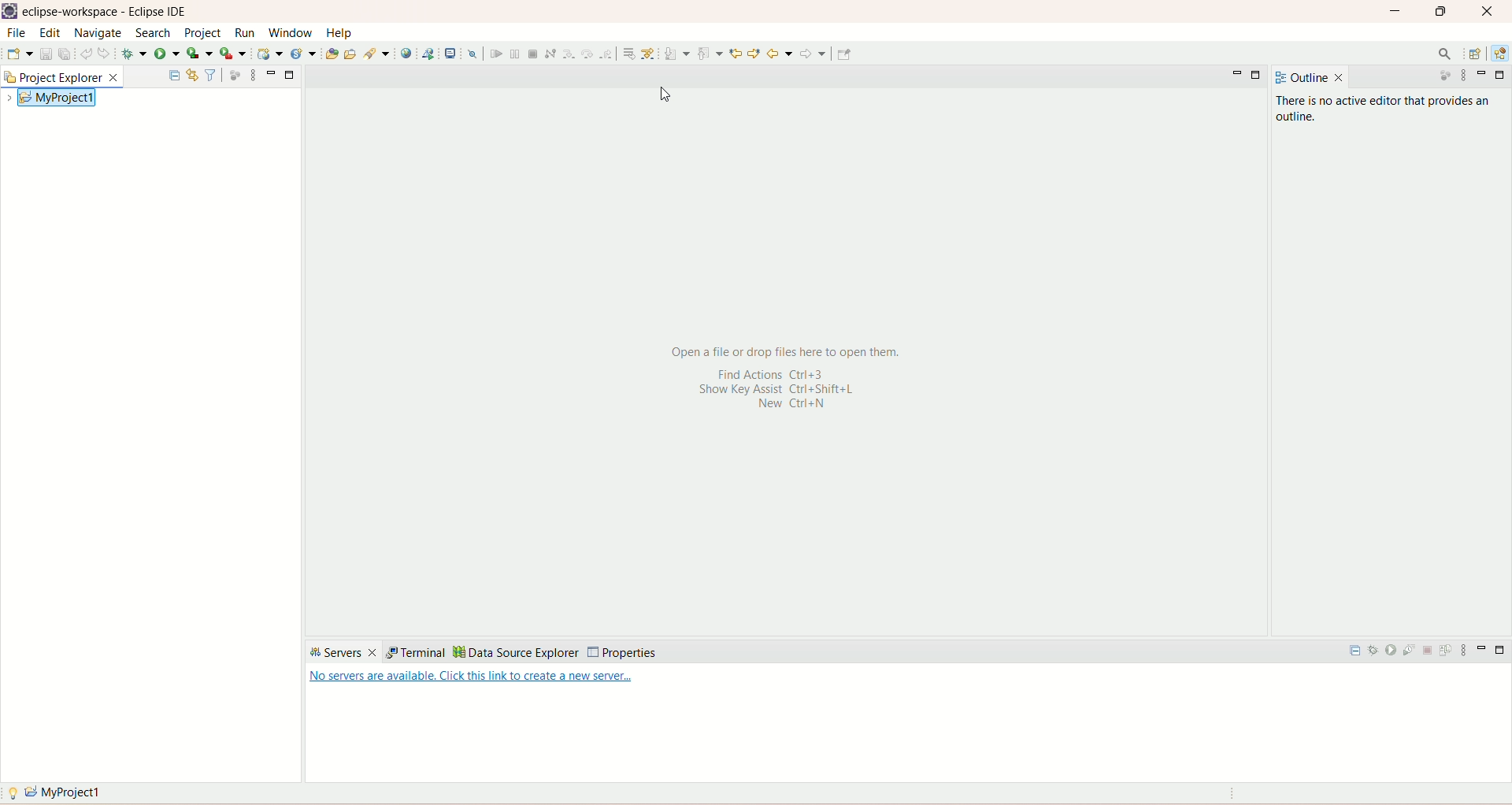  Describe the element at coordinates (1388, 109) in the screenshot. I see `there is no active editor that provides an outline` at that location.